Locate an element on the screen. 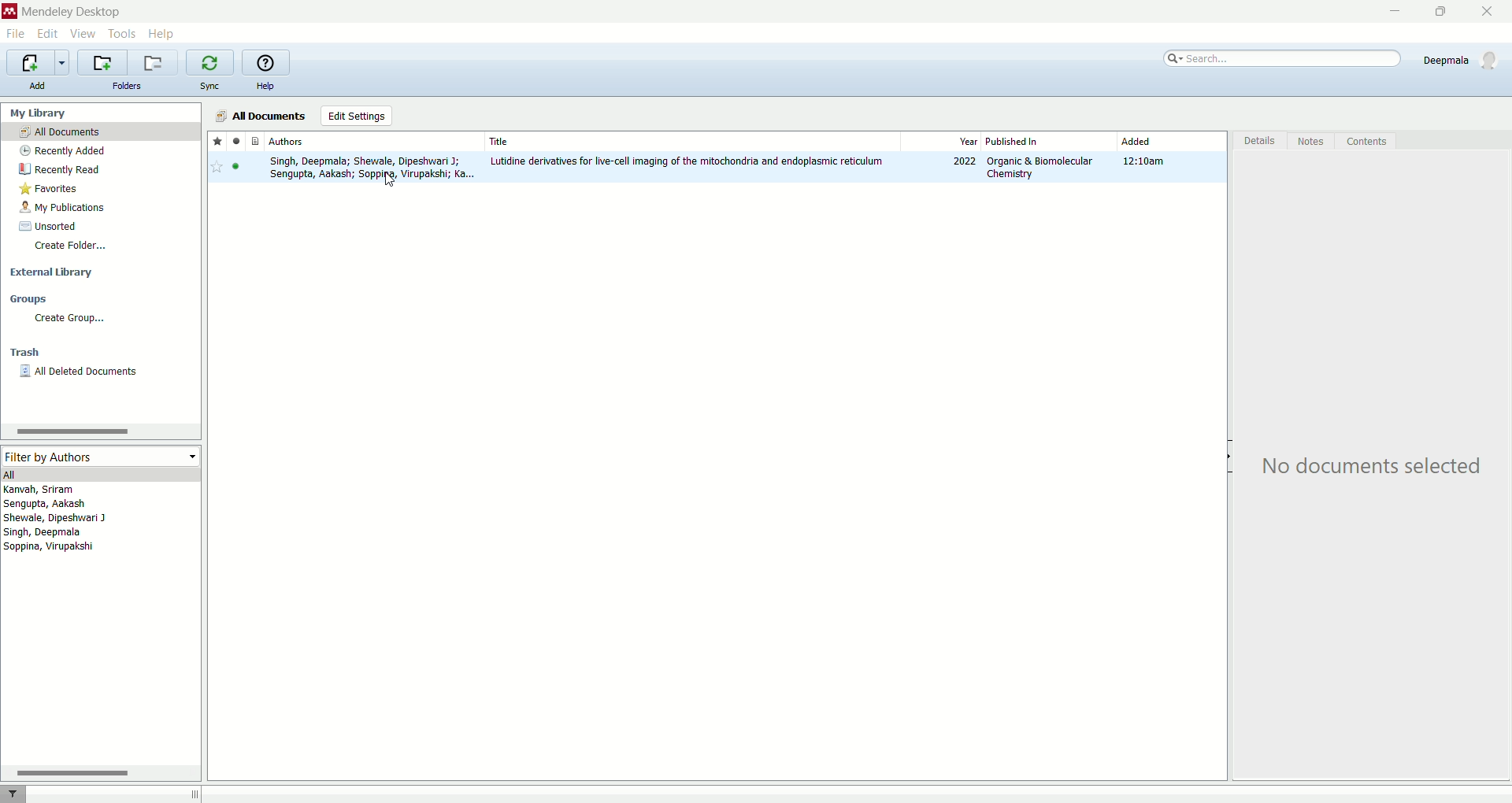  Active is located at coordinates (238, 169).